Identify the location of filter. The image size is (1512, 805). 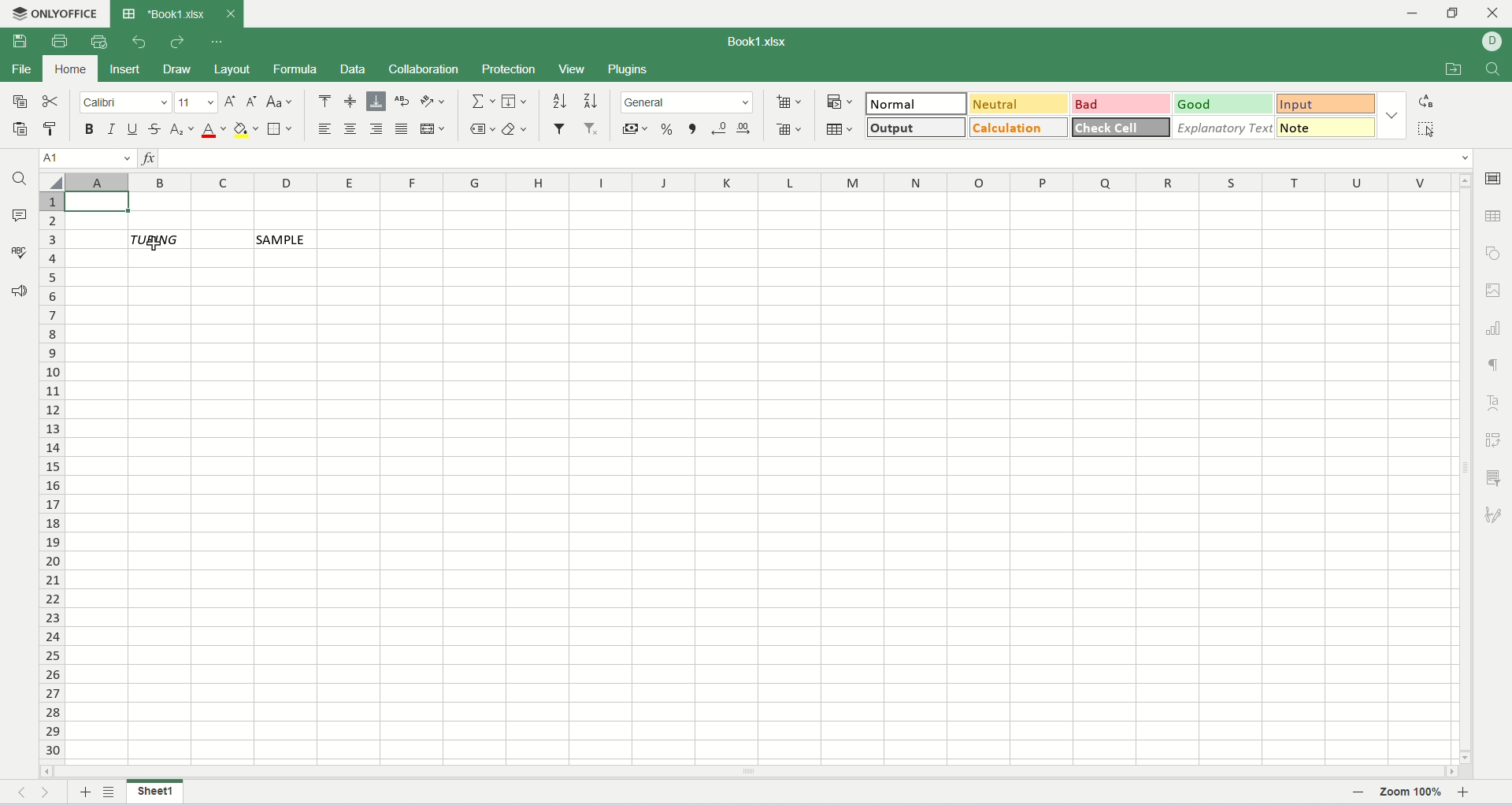
(561, 127).